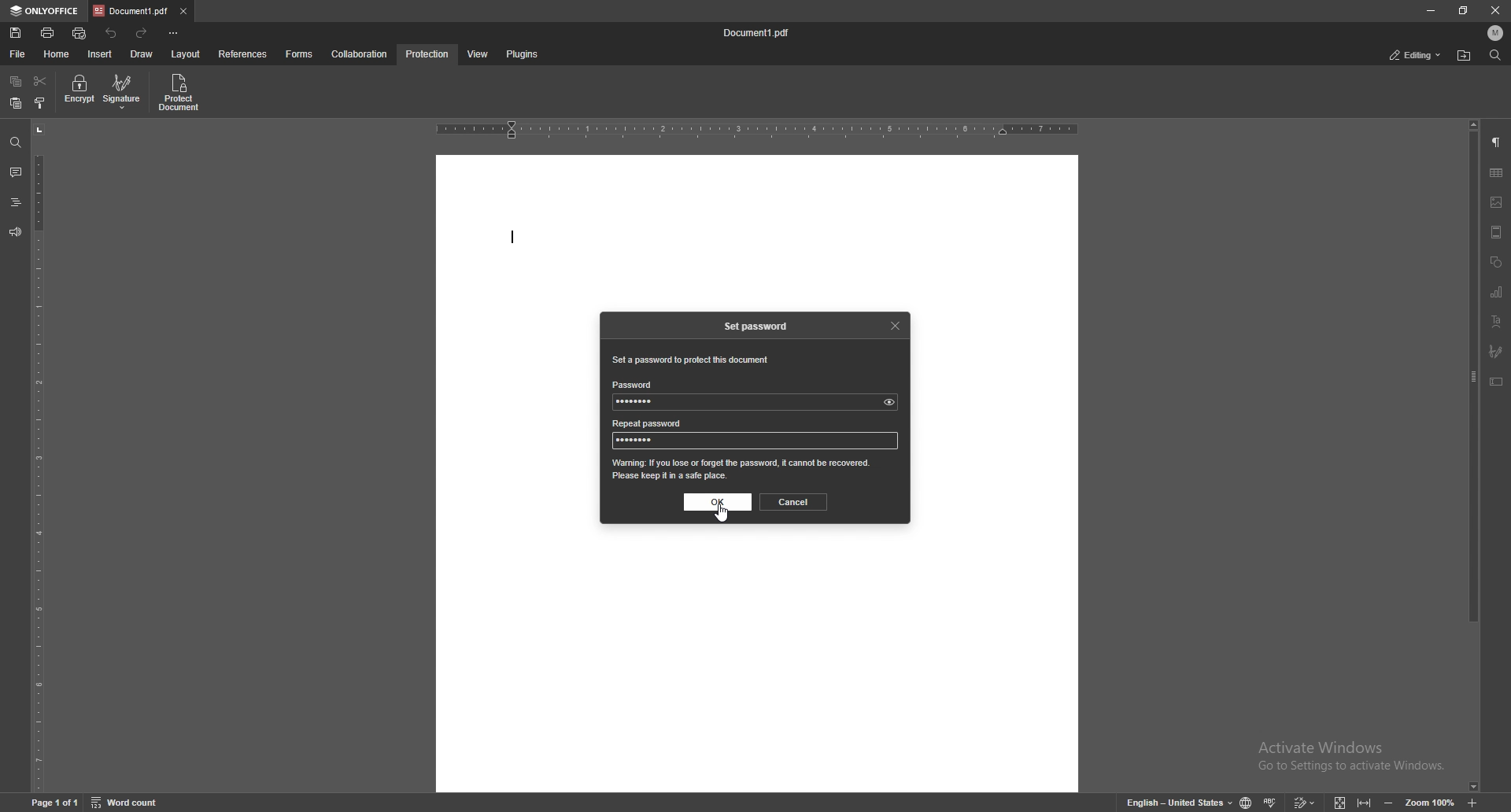 The image size is (1511, 812). I want to click on scroll bar, so click(1472, 456).